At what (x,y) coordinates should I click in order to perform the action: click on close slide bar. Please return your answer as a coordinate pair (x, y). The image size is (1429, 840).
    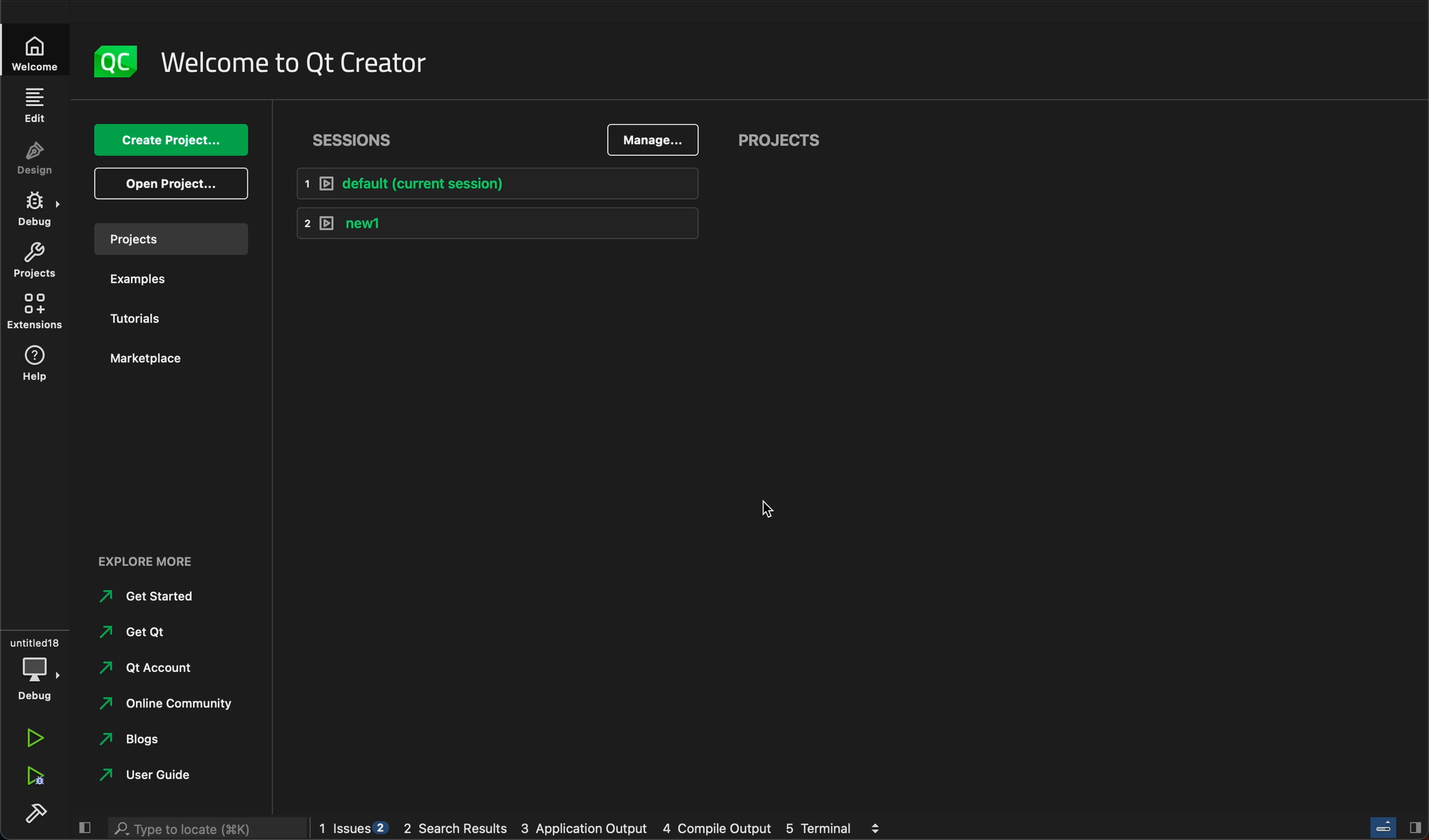
    Looking at the image, I should click on (1398, 826).